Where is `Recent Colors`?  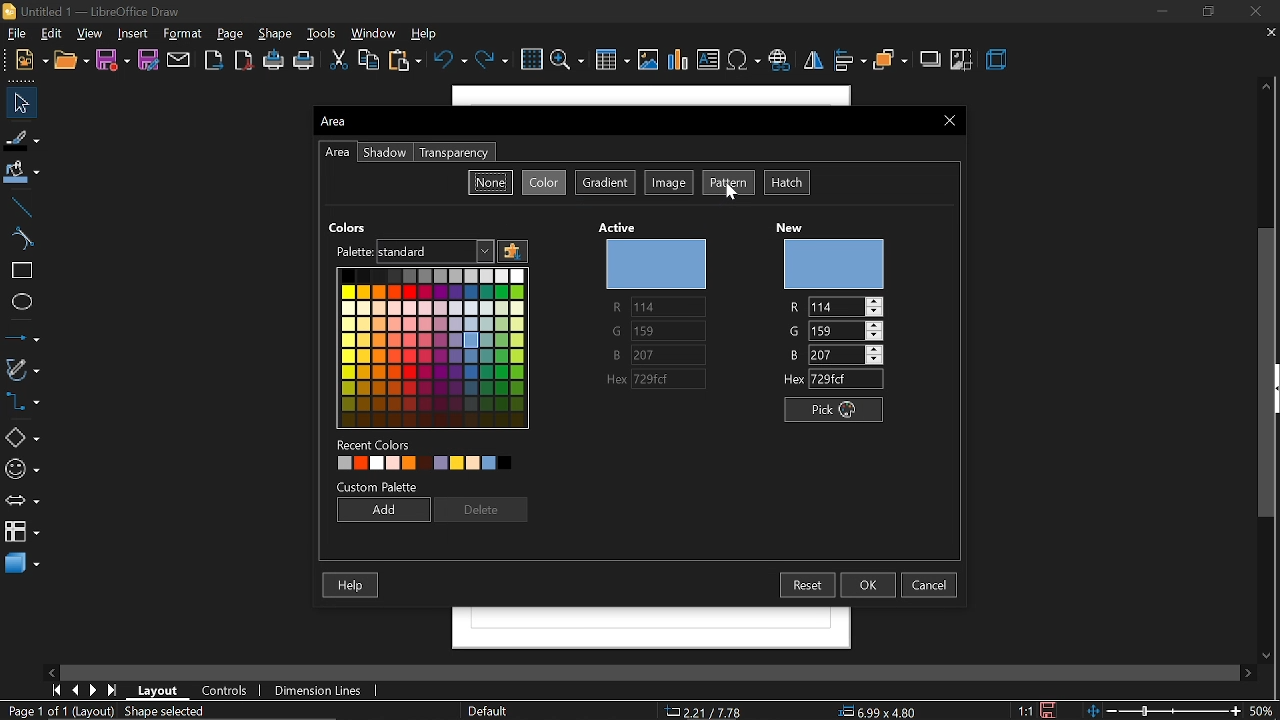 Recent Colors is located at coordinates (380, 442).